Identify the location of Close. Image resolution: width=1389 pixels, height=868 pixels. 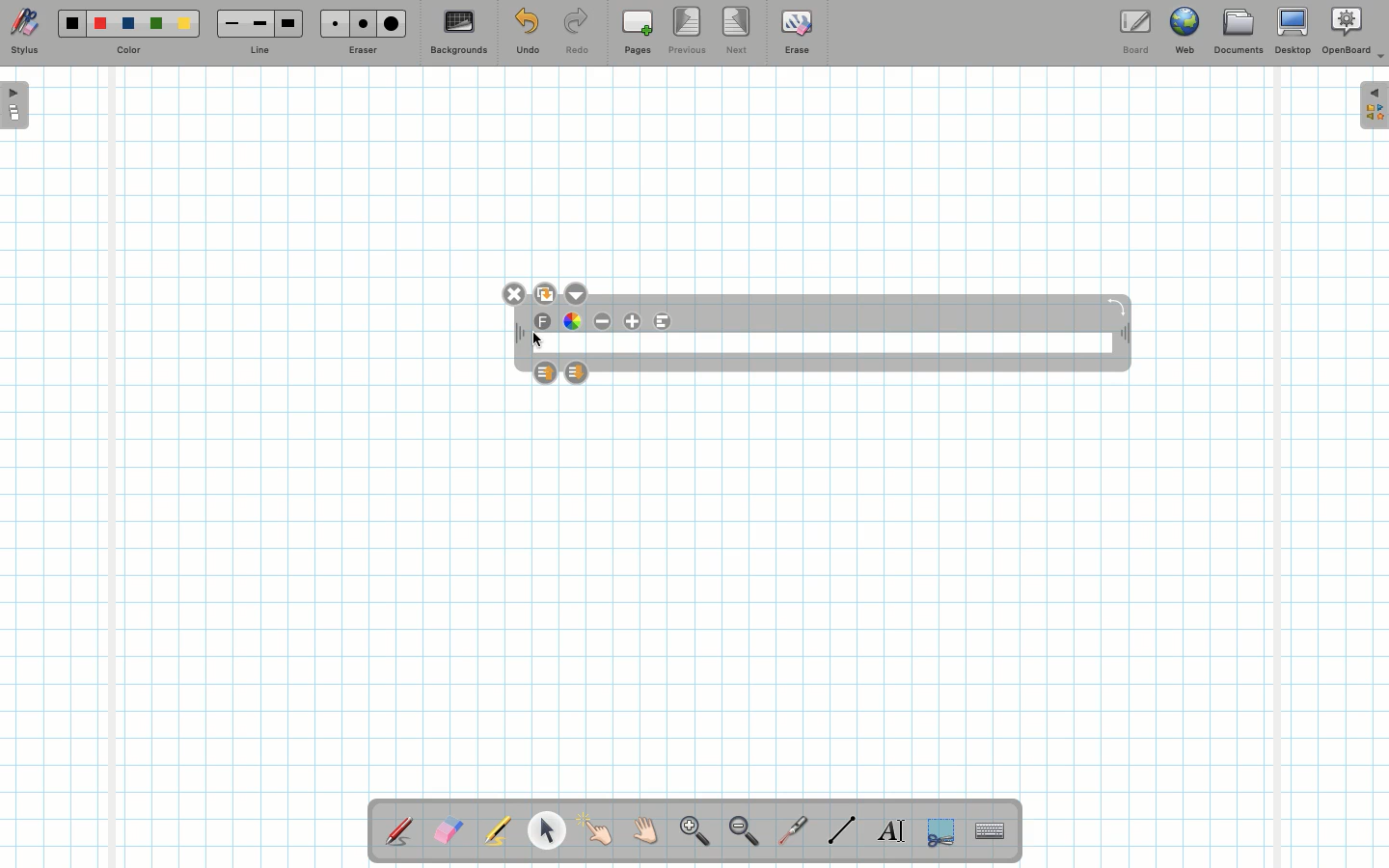
(514, 294).